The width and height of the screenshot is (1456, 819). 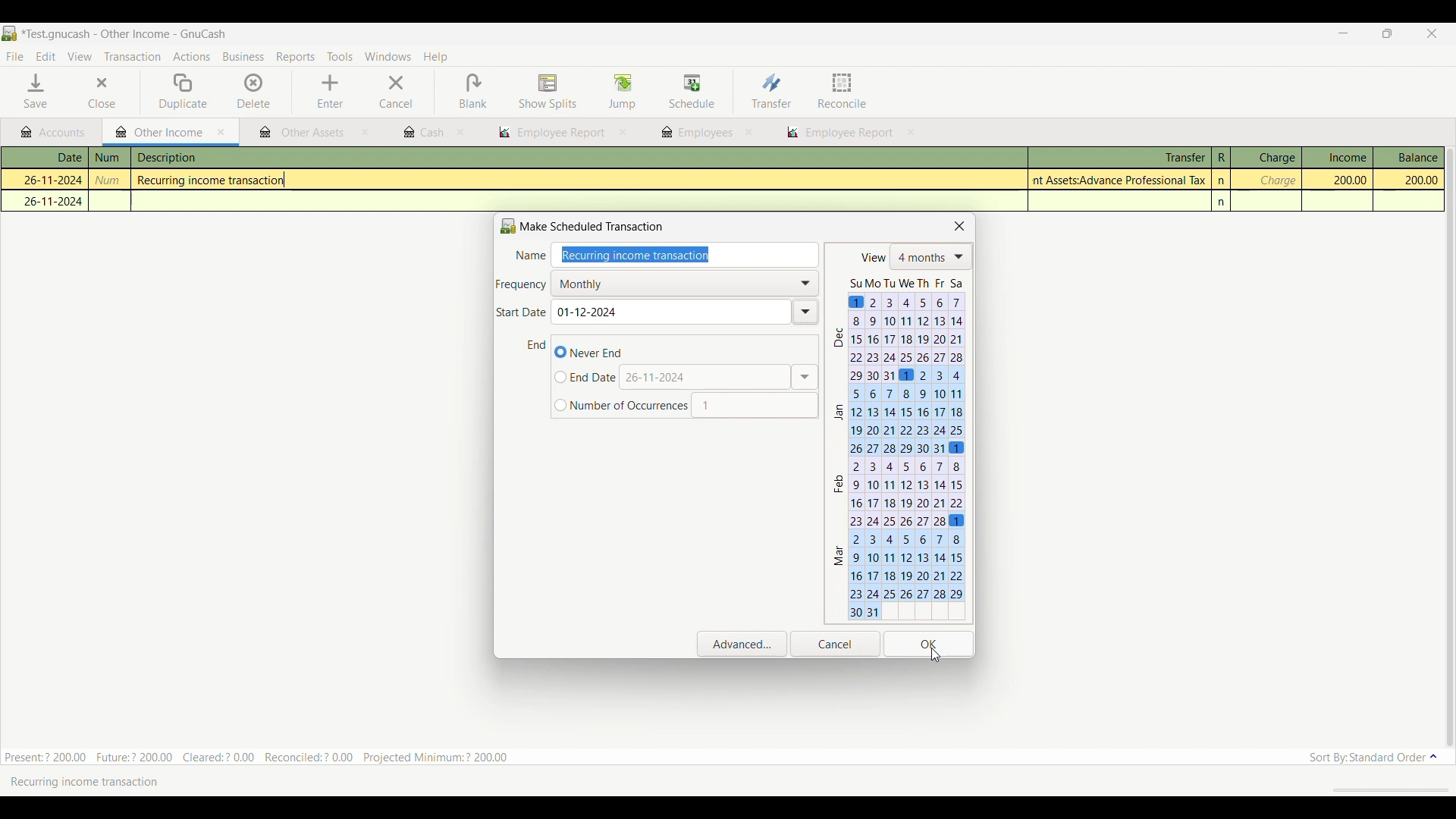 I want to click on File menu, so click(x=14, y=57).